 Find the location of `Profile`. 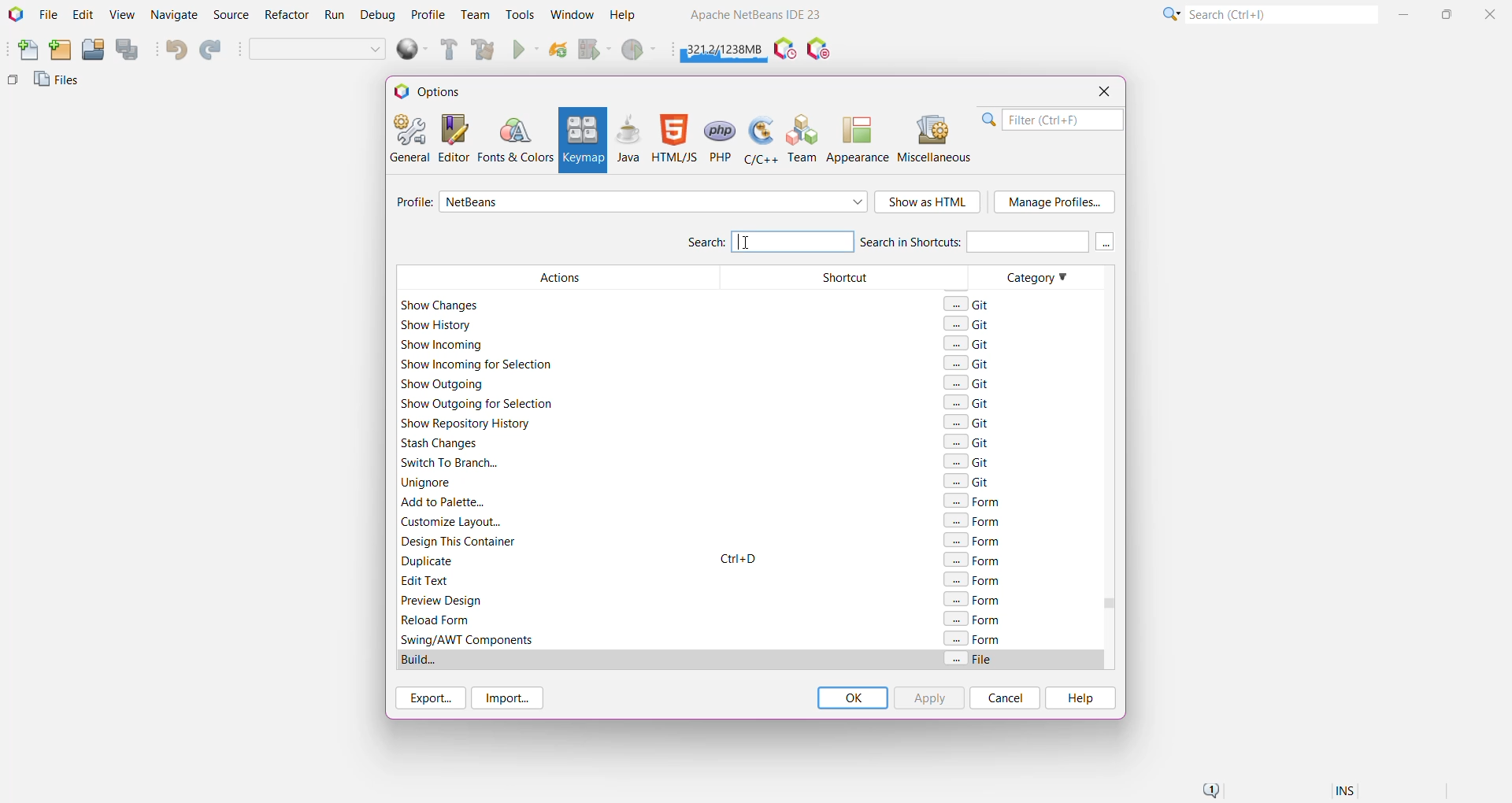

Profile is located at coordinates (428, 14).